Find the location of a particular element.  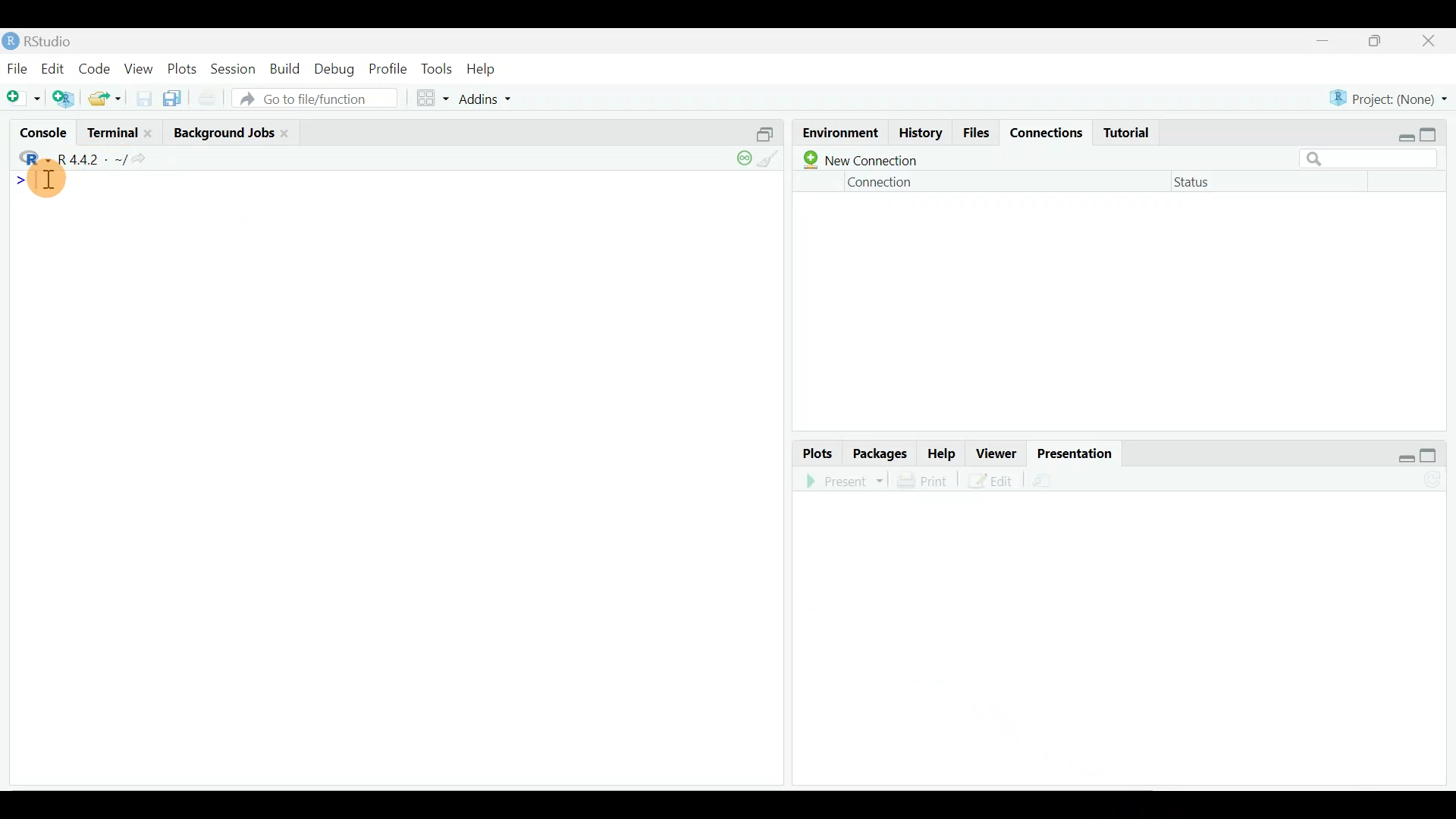

Save all open documents is located at coordinates (174, 99).